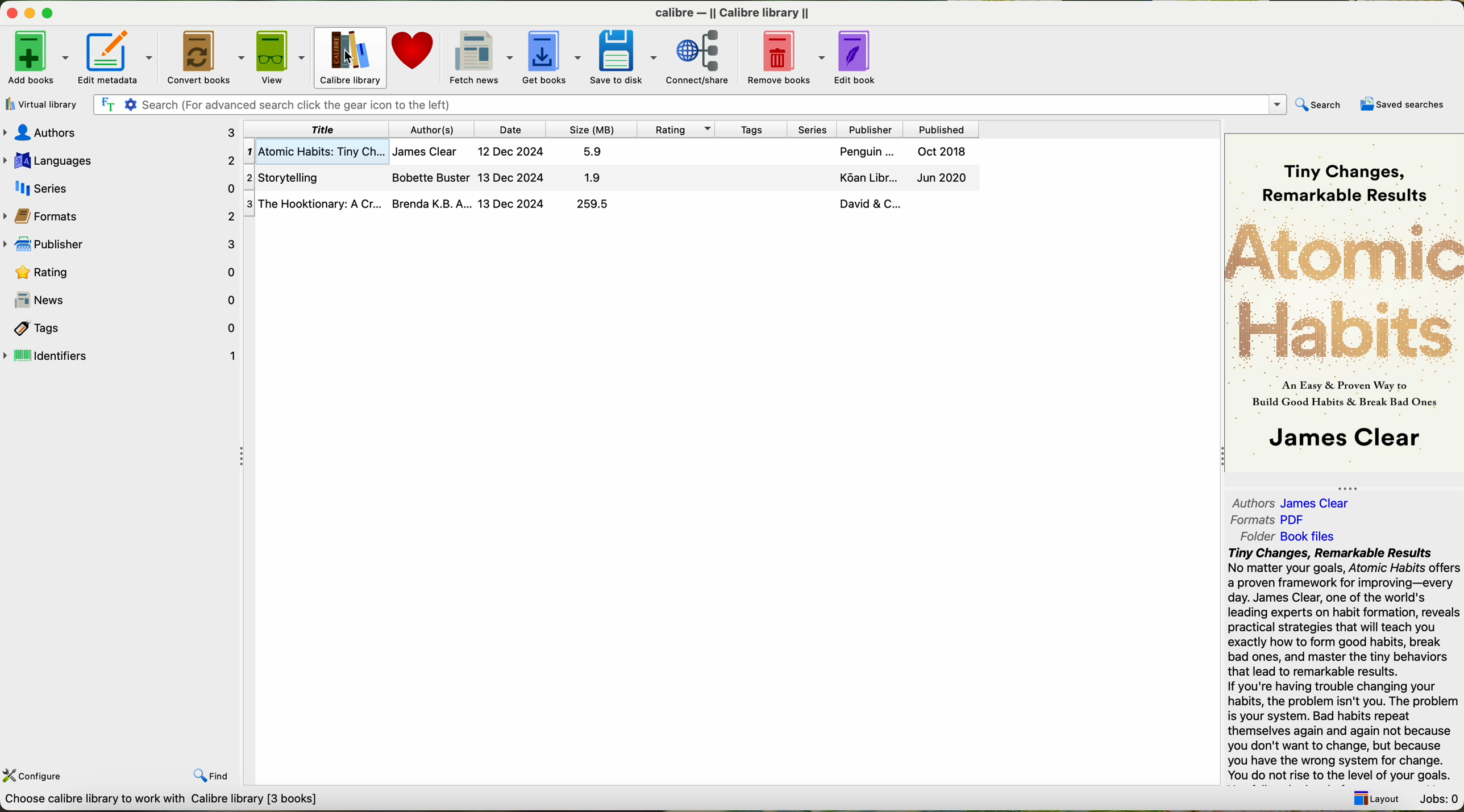  I want to click on saved searches, so click(1405, 105).